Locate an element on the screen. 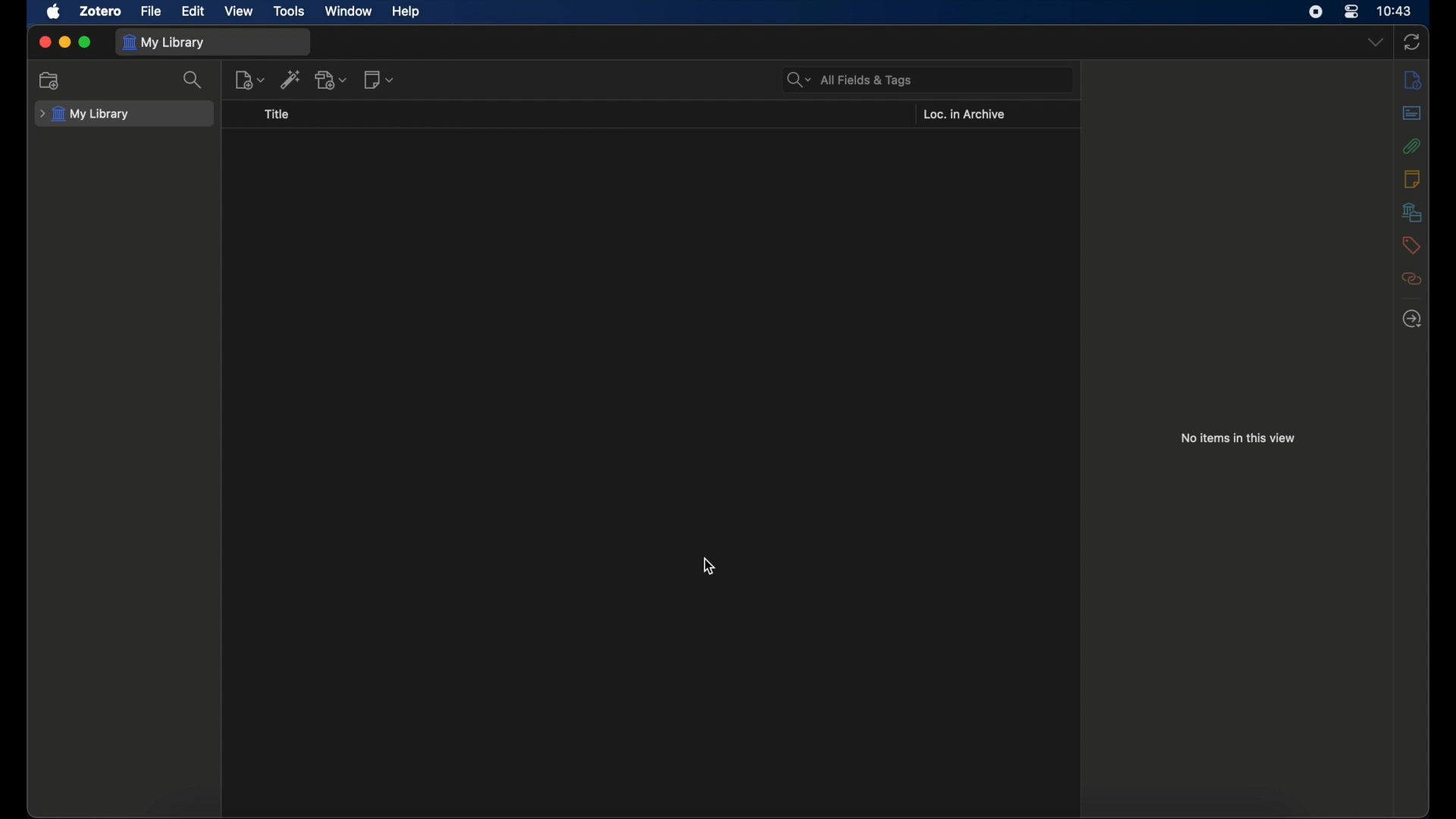 The height and width of the screenshot is (819, 1456). window is located at coordinates (347, 10).